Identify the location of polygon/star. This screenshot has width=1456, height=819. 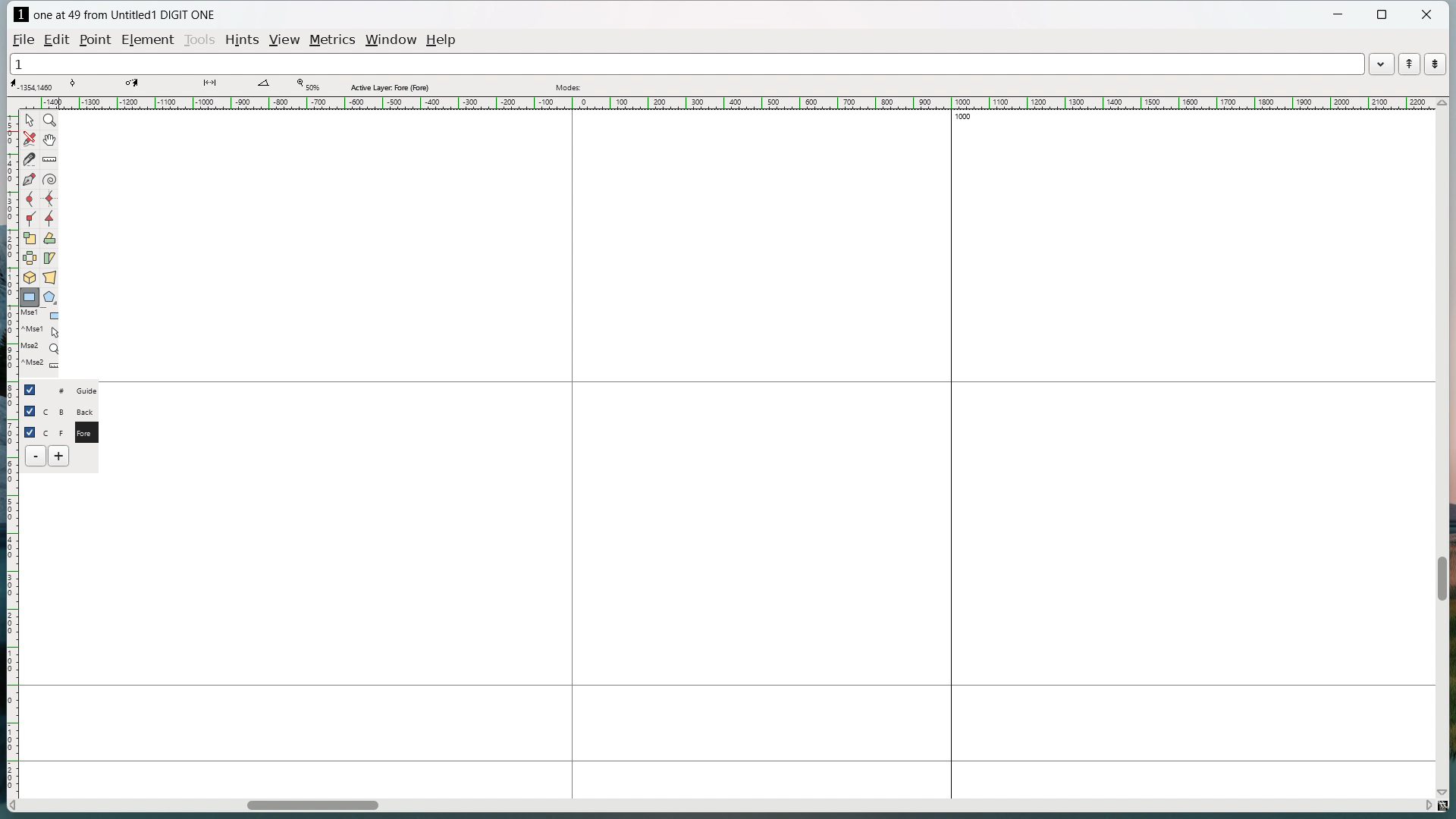
(50, 297).